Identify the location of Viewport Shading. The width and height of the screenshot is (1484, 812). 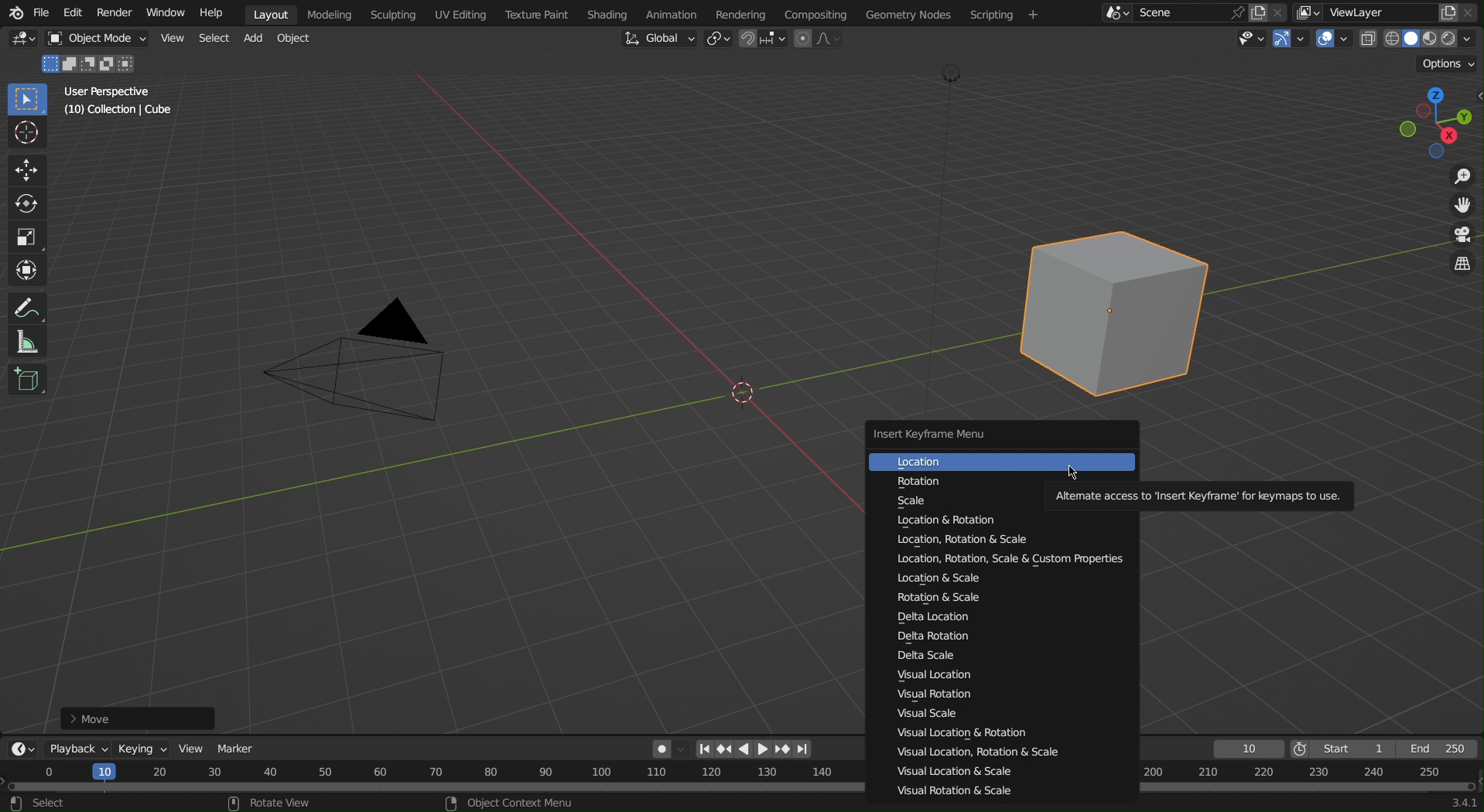
(1420, 39).